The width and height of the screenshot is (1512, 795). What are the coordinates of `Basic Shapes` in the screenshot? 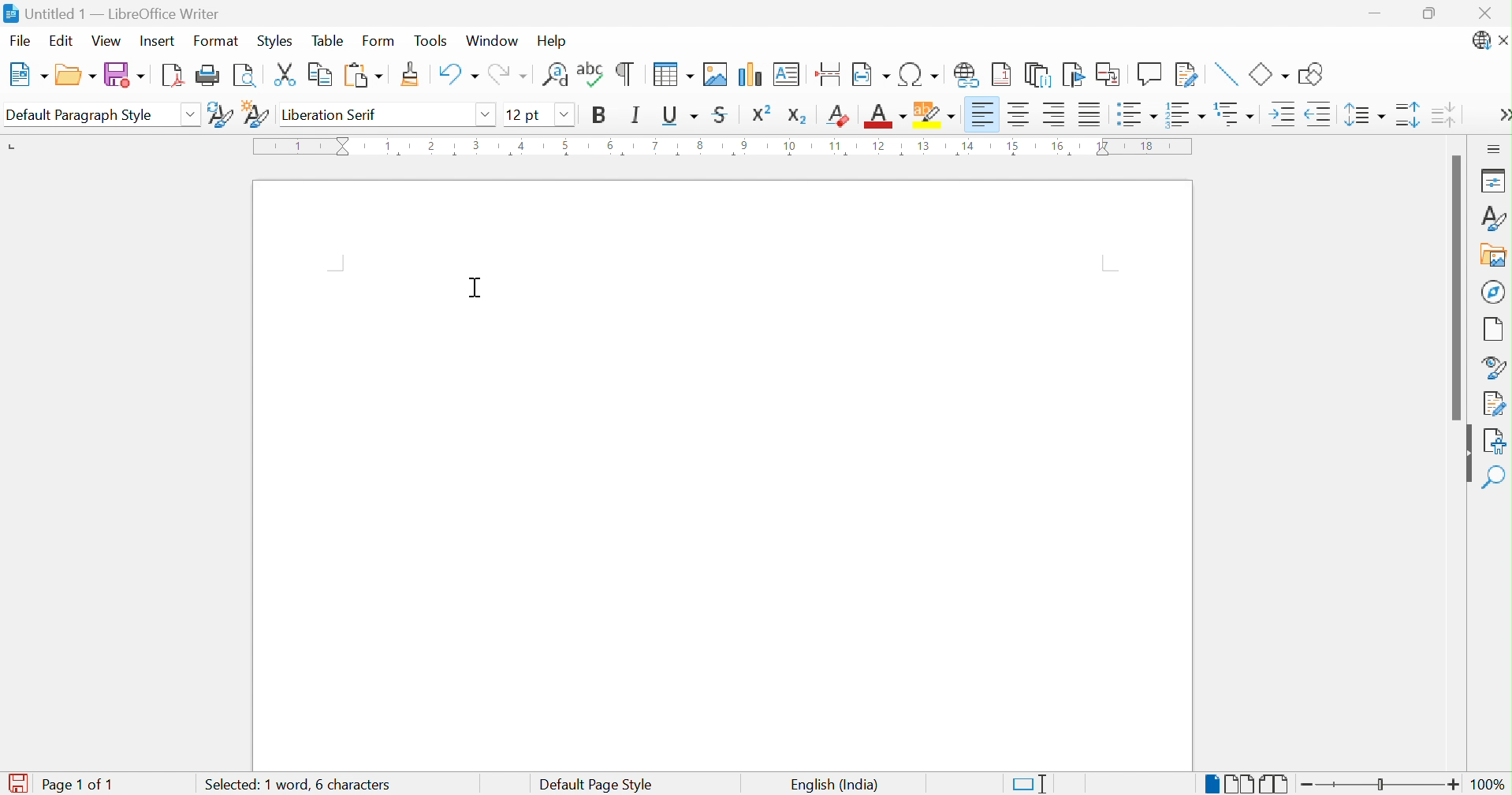 It's located at (1268, 74).